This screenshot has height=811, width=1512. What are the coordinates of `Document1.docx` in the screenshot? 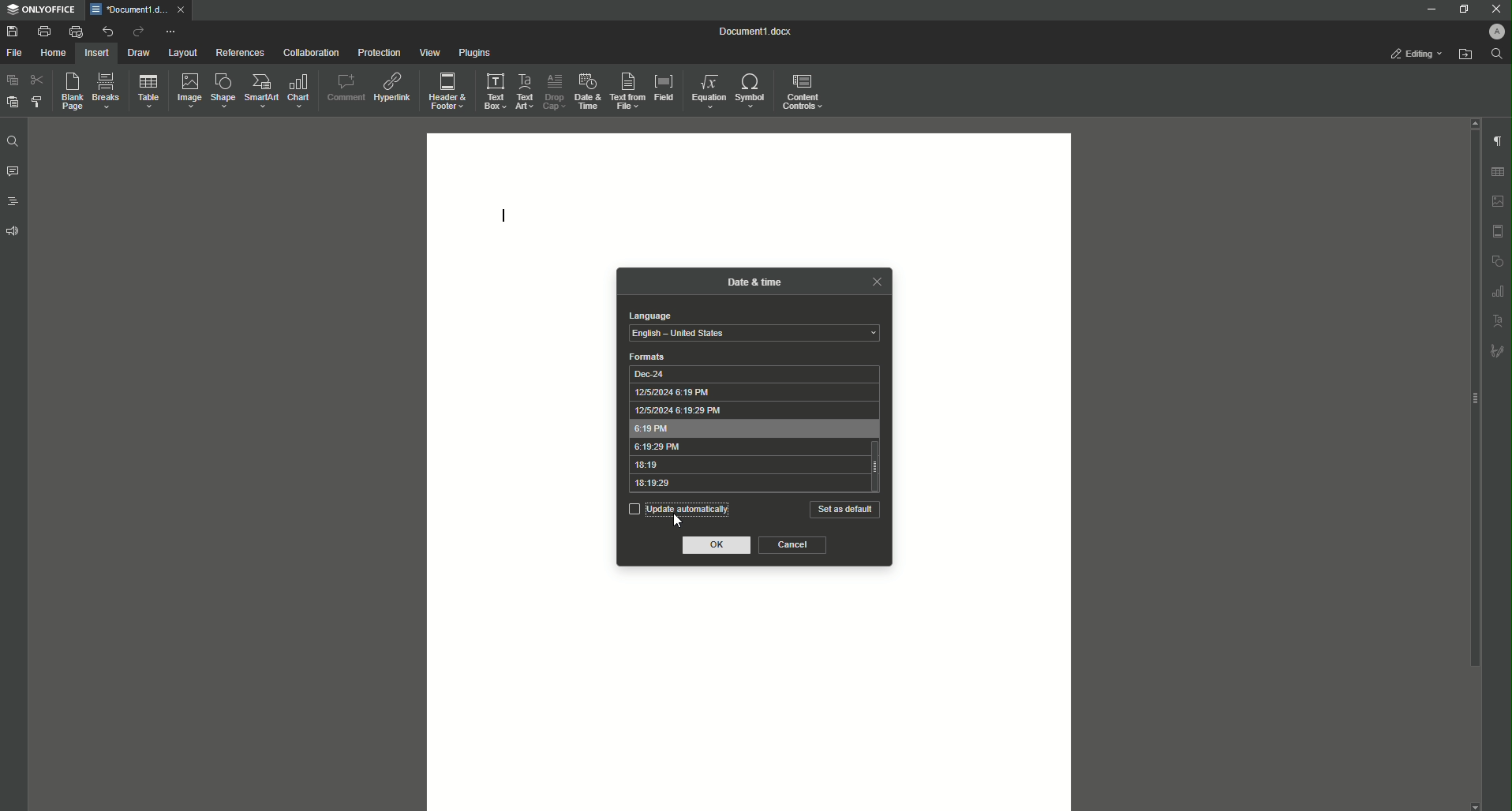 It's located at (757, 32).